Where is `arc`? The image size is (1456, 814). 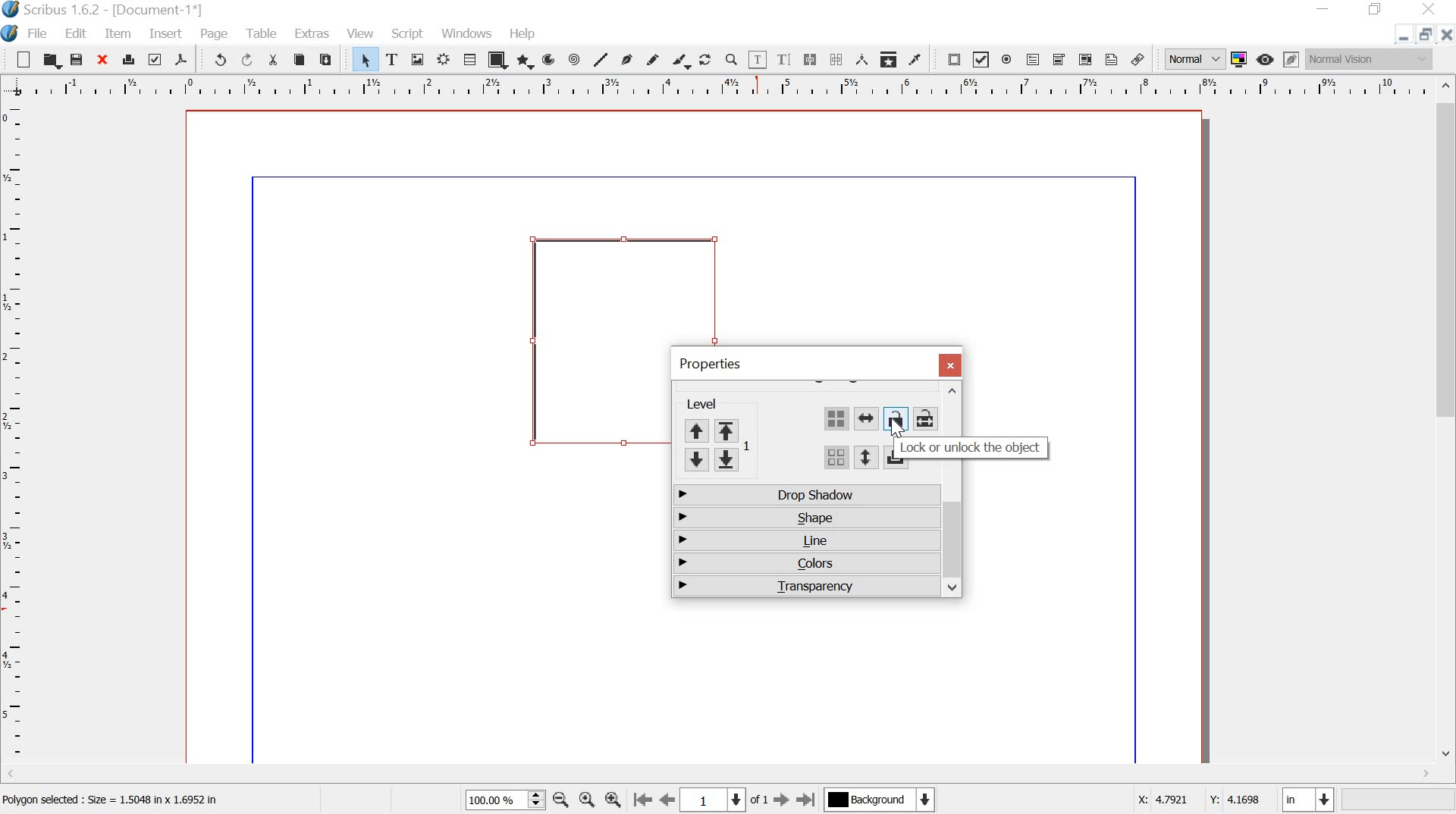 arc is located at coordinates (551, 59).